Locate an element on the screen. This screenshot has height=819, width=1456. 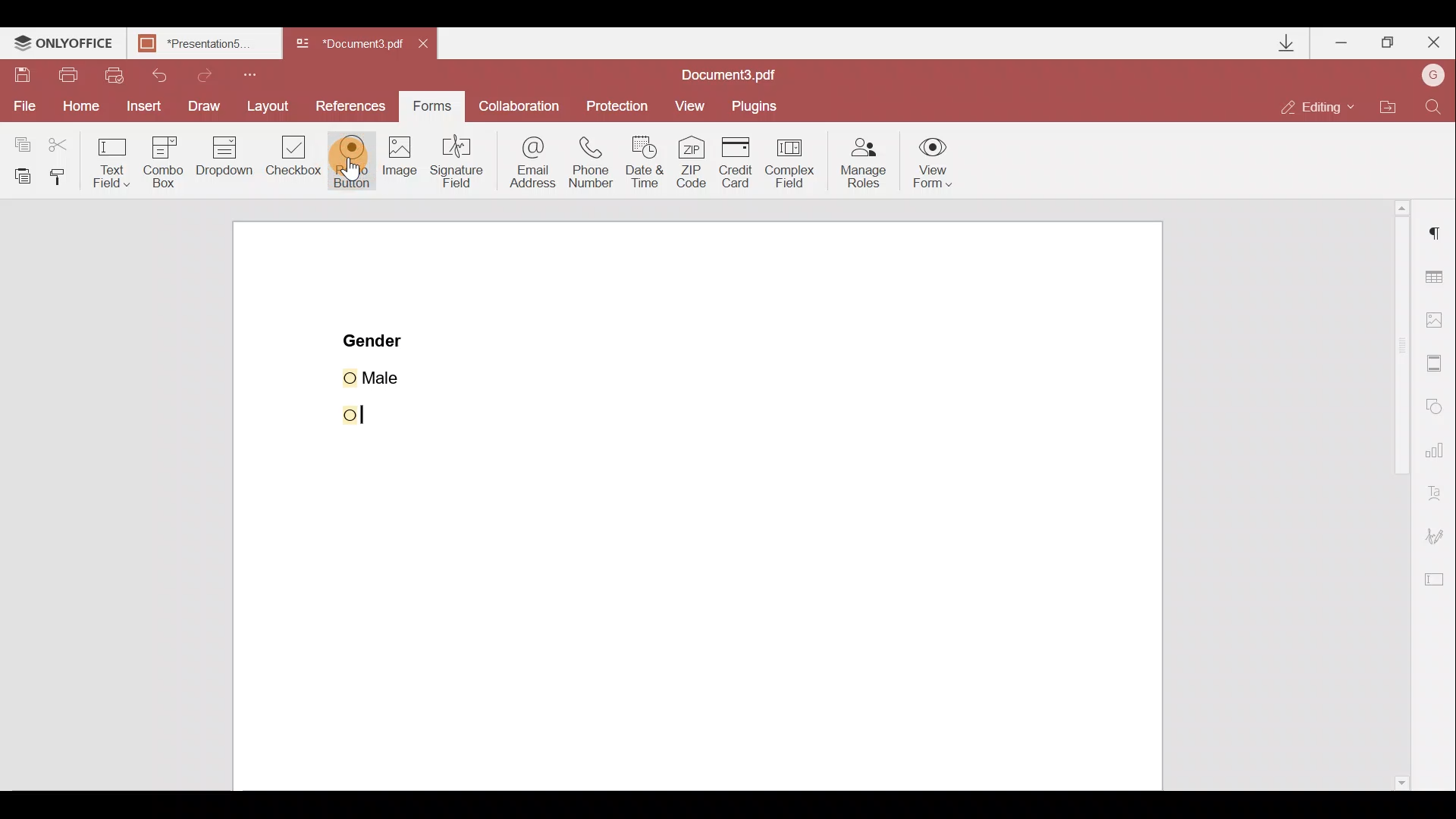
Home is located at coordinates (77, 108).